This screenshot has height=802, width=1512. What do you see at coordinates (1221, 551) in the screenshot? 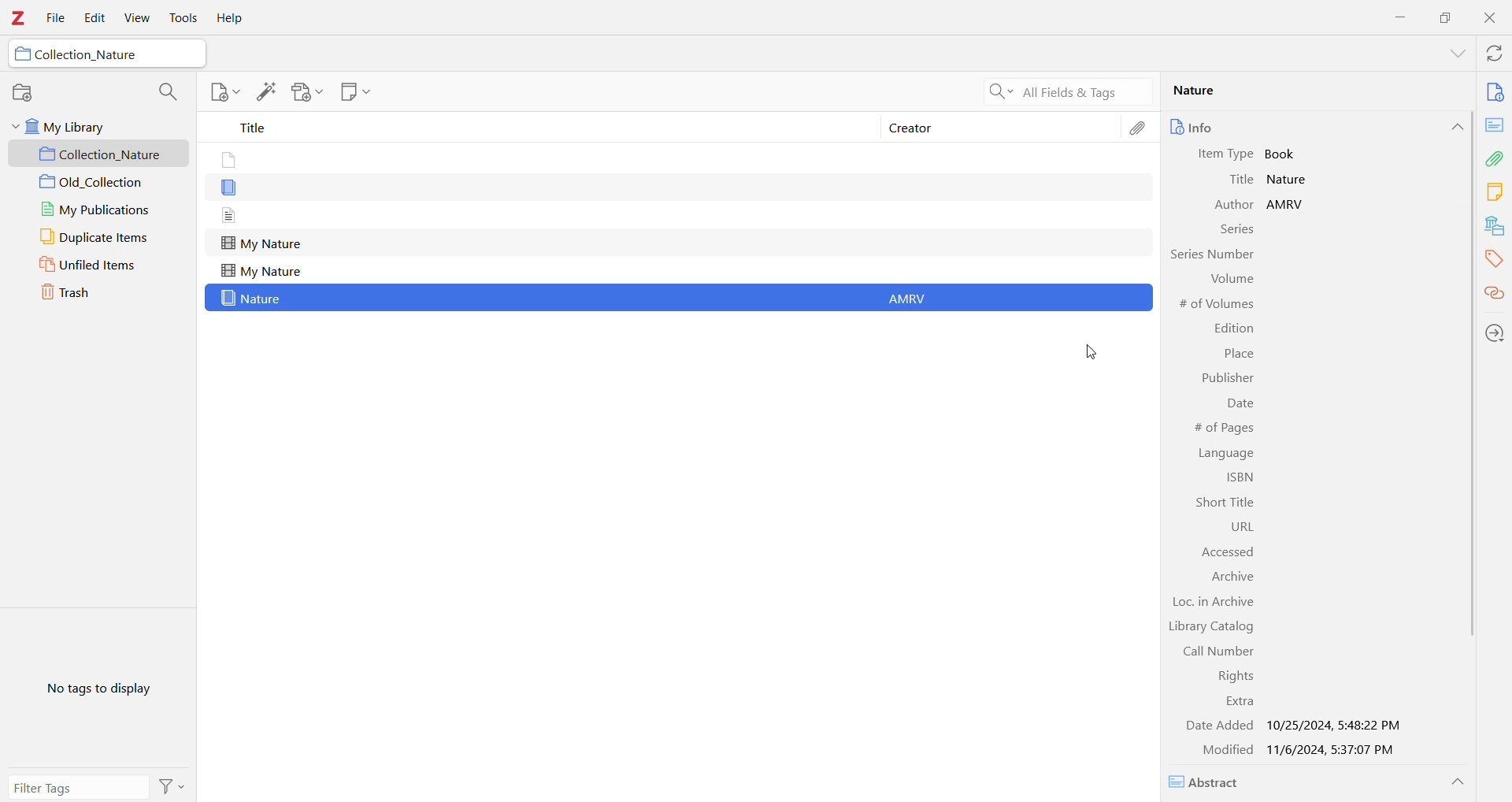
I see `Accessed` at bounding box center [1221, 551].